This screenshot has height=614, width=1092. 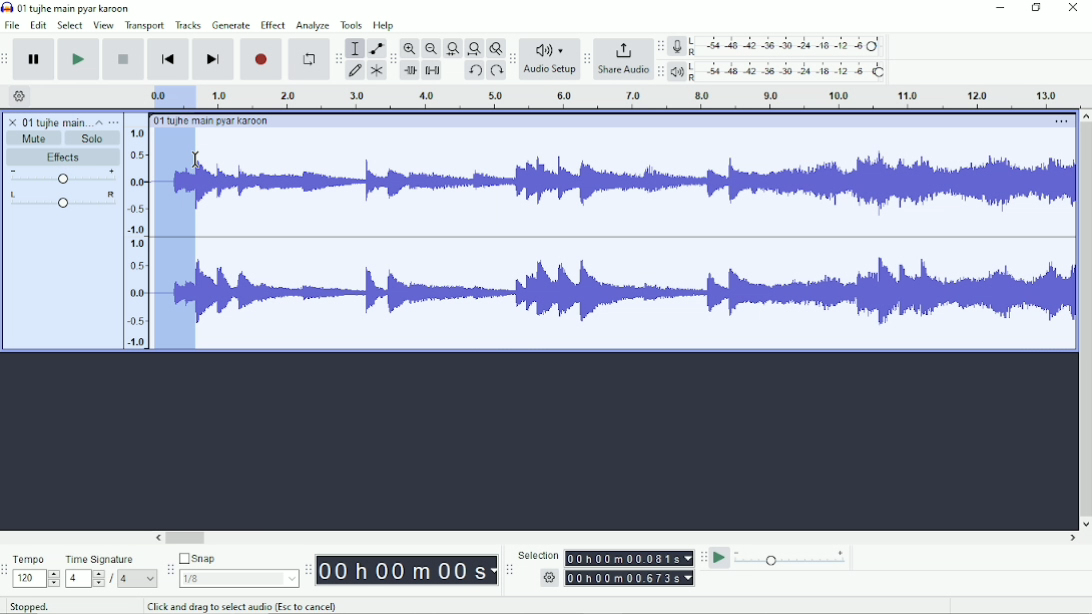 I want to click on Already Played, so click(x=175, y=243).